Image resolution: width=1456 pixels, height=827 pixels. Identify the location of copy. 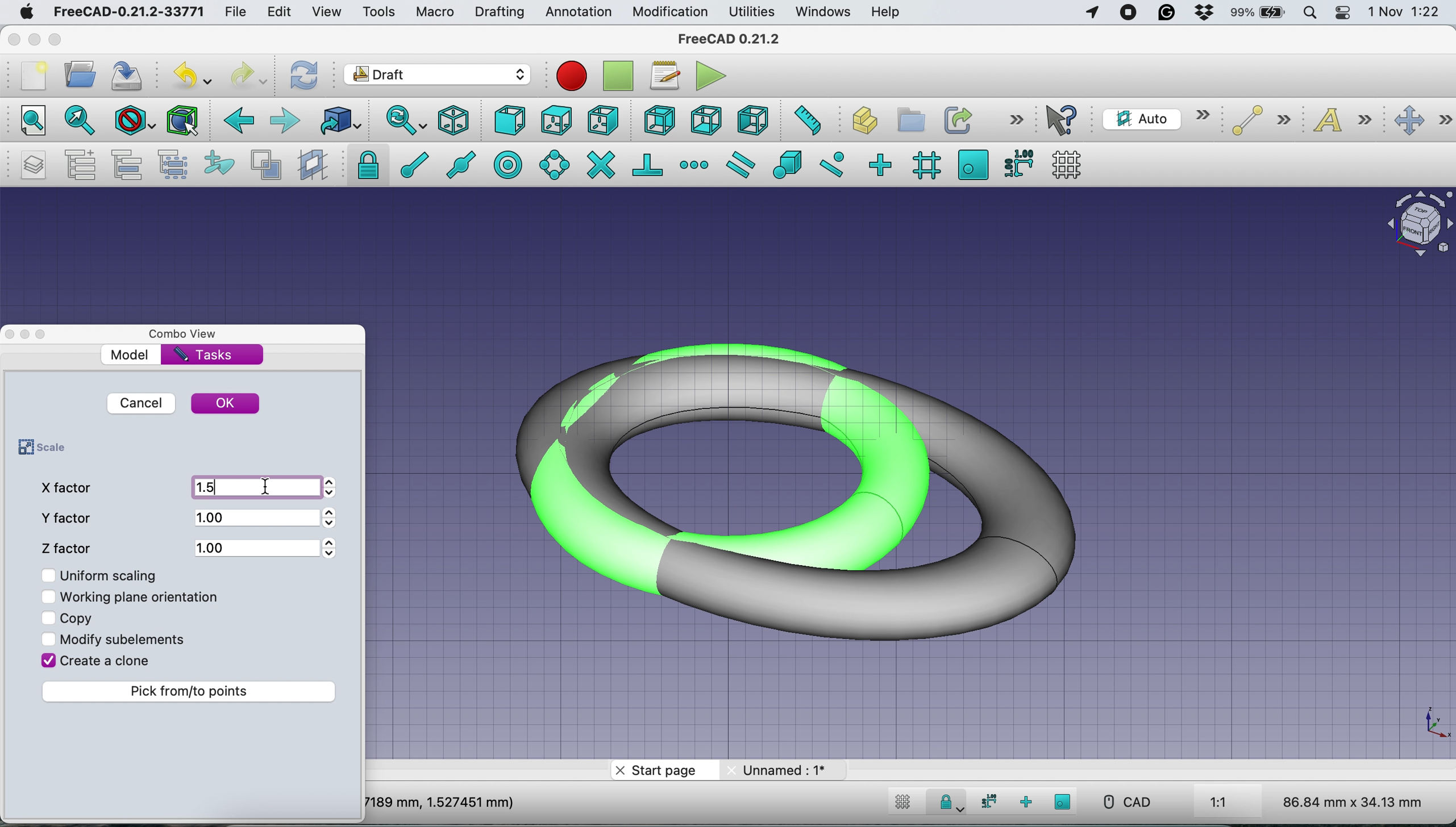
(78, 616).